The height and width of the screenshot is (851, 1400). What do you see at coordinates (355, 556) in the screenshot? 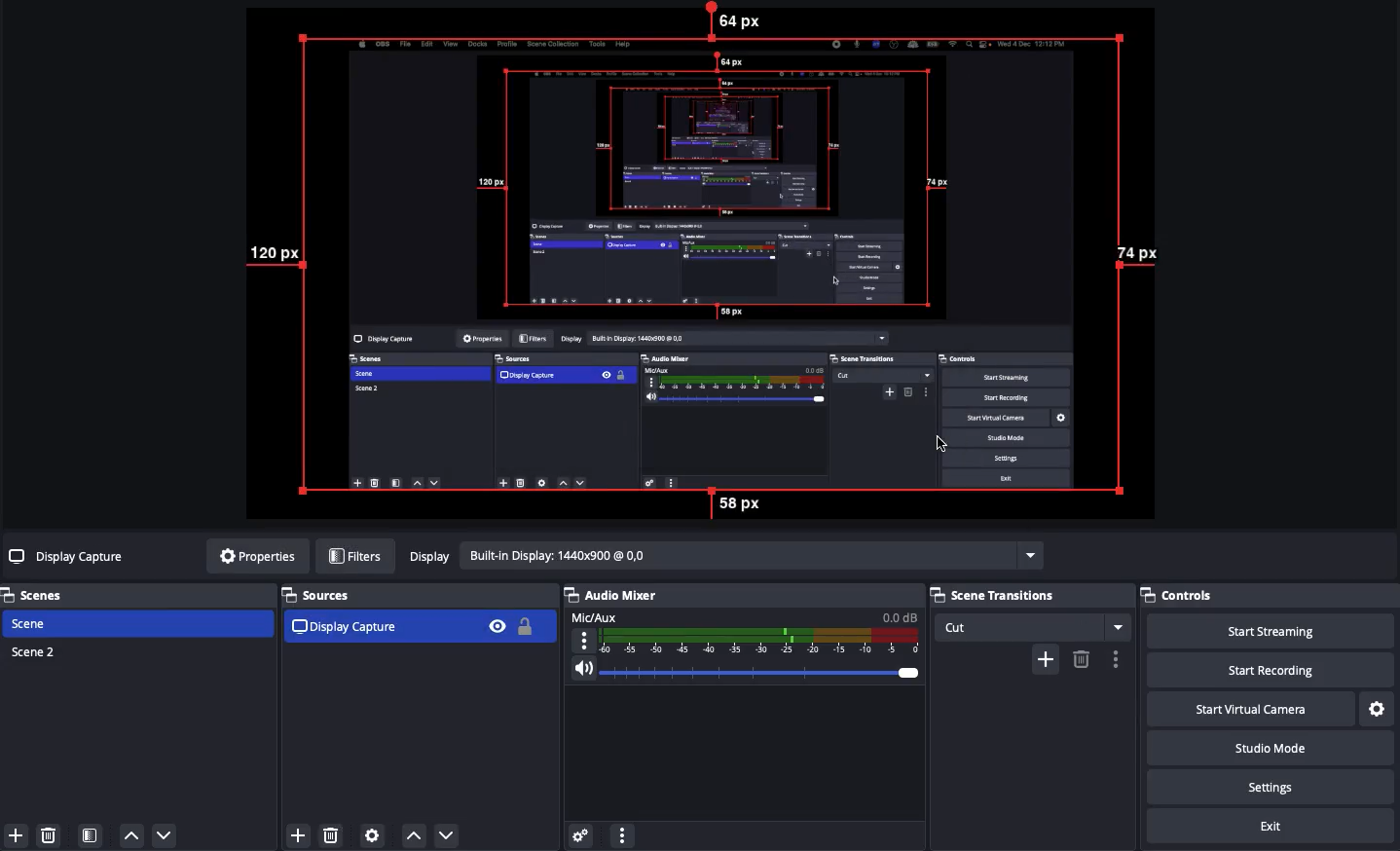
I see `Fitters` at bounding box center [355, 556].